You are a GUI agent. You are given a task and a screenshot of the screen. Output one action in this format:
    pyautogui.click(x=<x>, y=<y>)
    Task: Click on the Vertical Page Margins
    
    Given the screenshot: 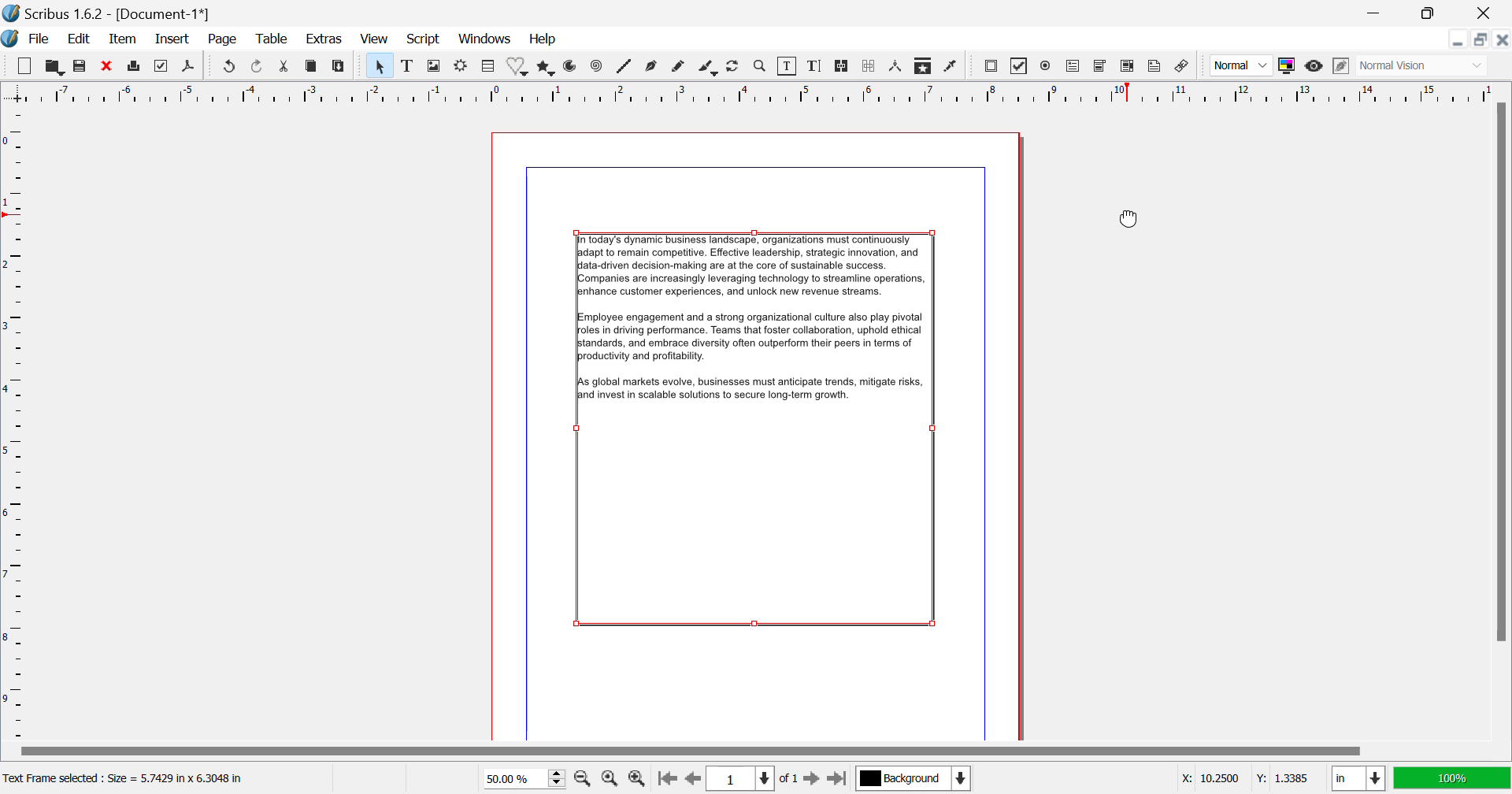 What is the action you would take?
    pyautogui.click(x=752, y=91)
    